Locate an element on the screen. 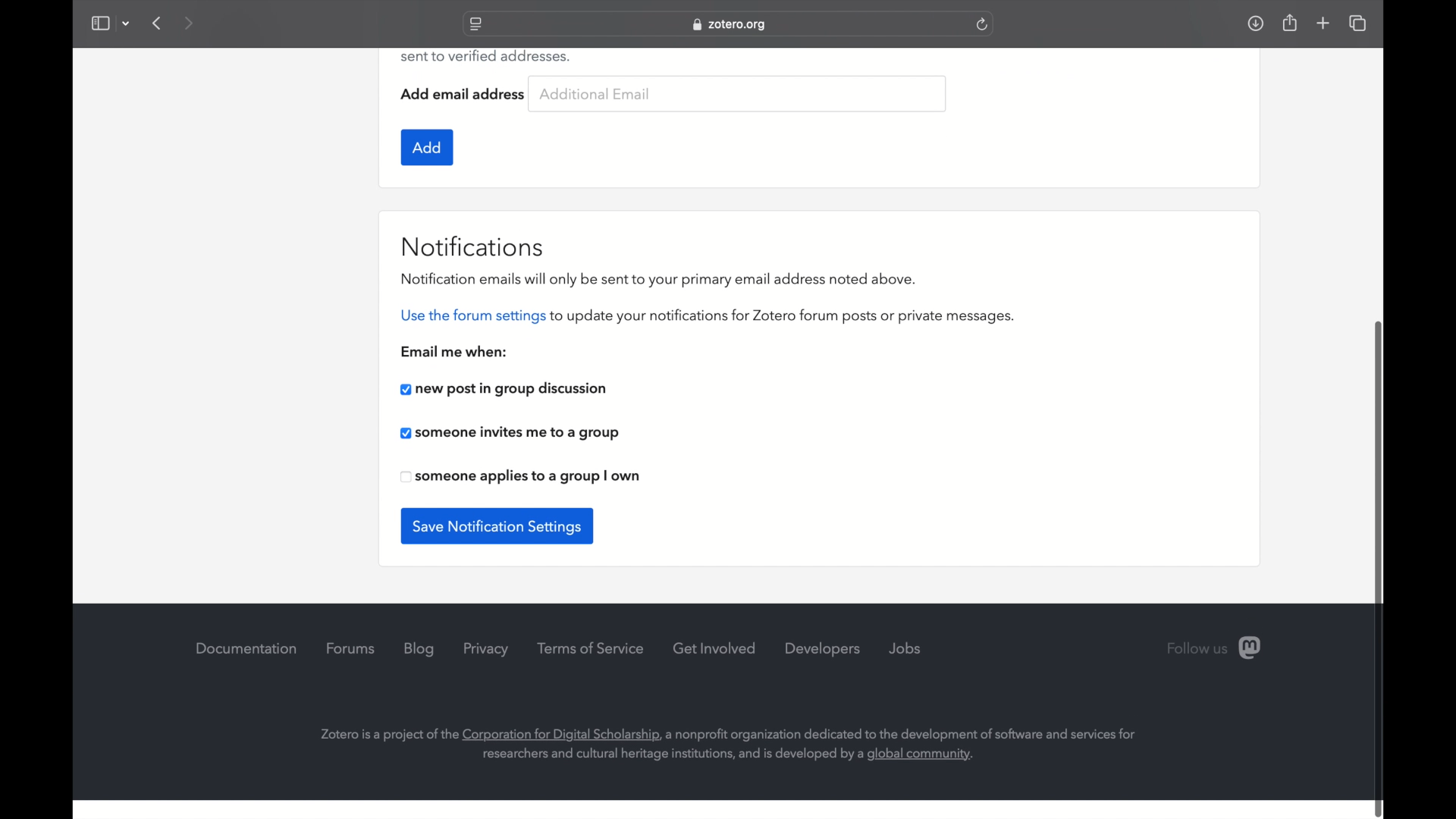  website address is located at coordinates (730, 25).